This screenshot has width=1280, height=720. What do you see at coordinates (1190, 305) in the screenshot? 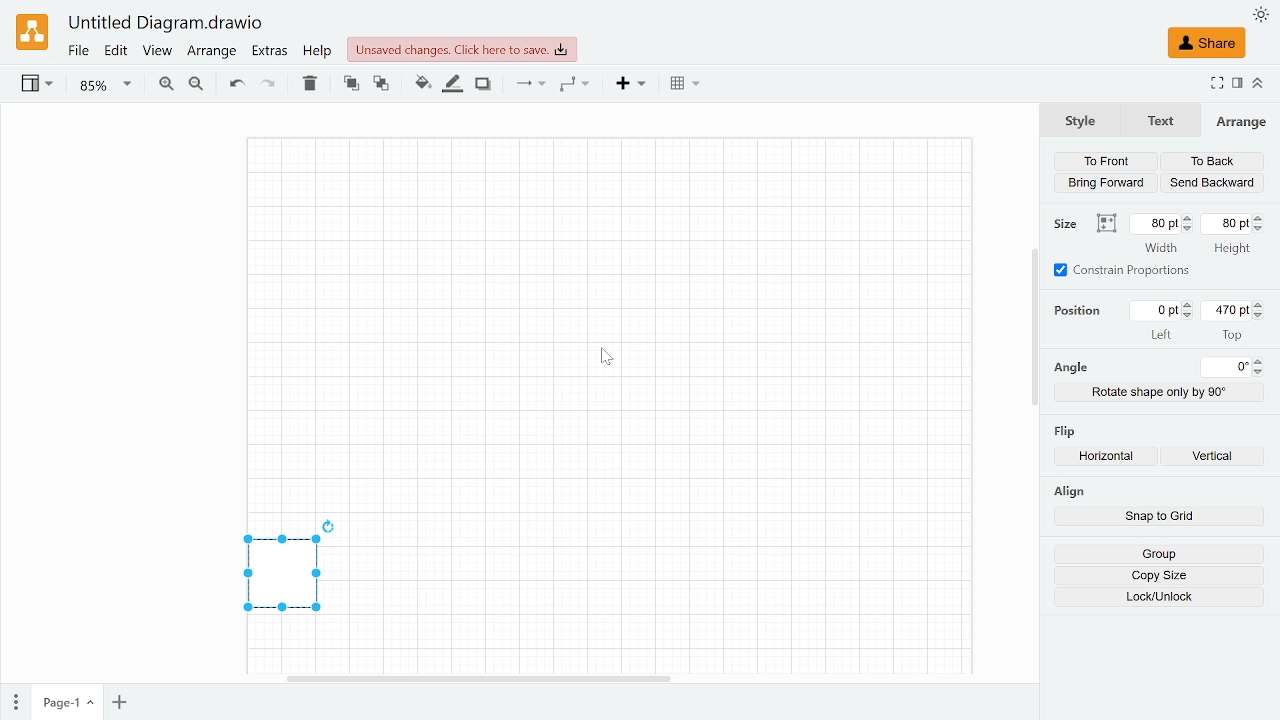
I see `Increase left` at bounding box center [1190, 305].